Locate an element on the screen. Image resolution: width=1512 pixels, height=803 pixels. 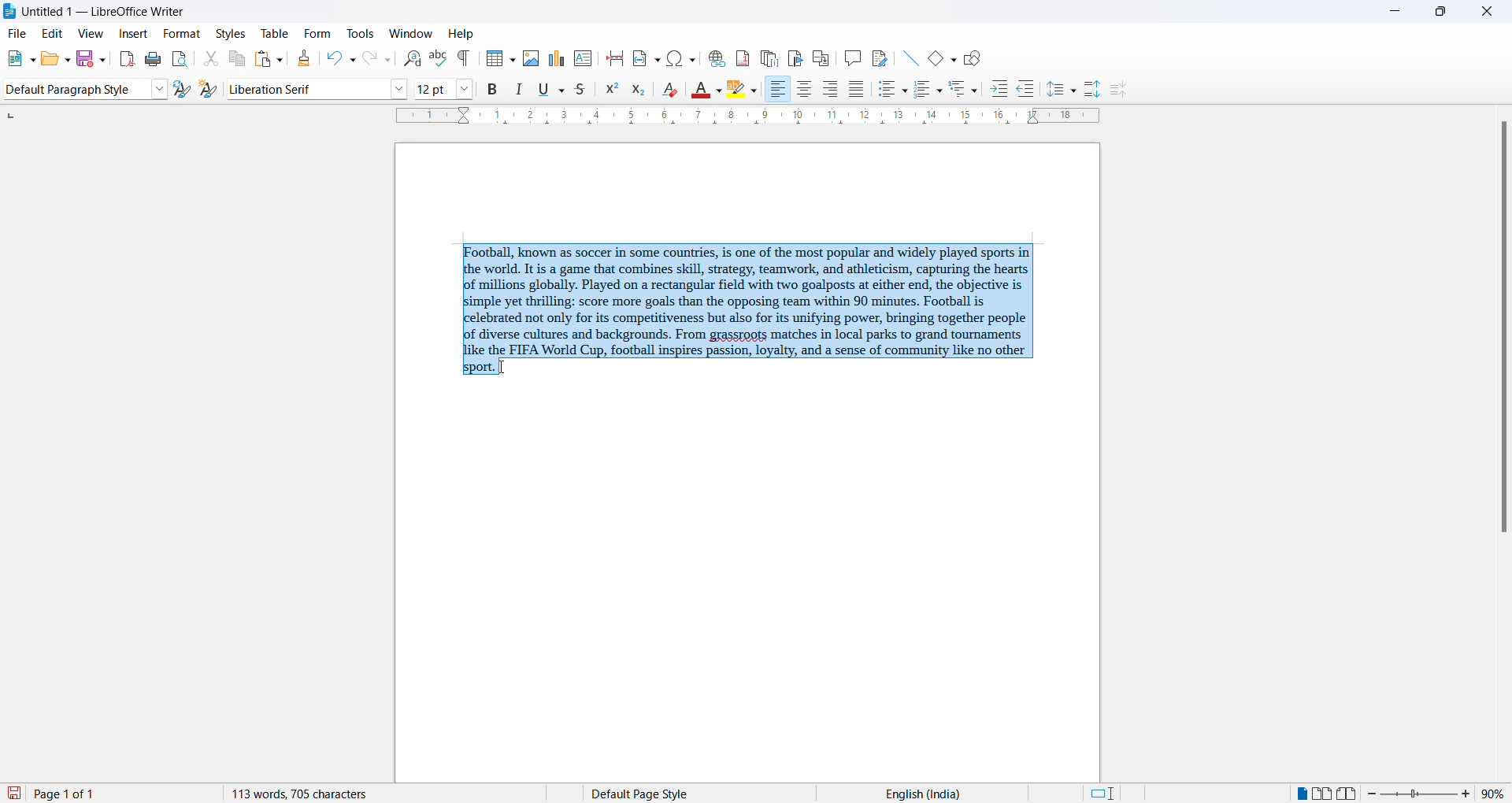
font color options is located at coordinates (720, 90).